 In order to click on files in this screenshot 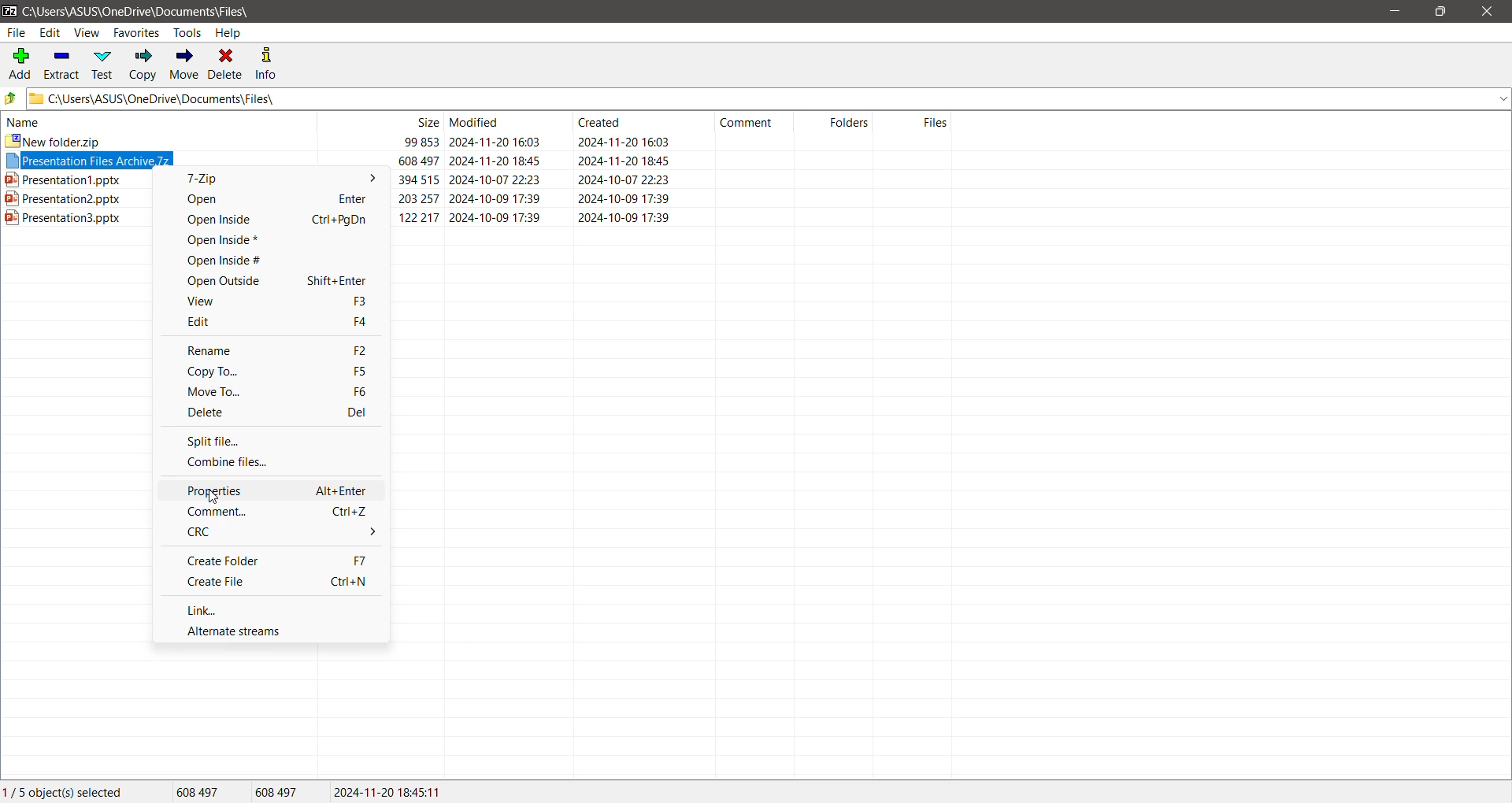, I will do `click(917, 121)`.